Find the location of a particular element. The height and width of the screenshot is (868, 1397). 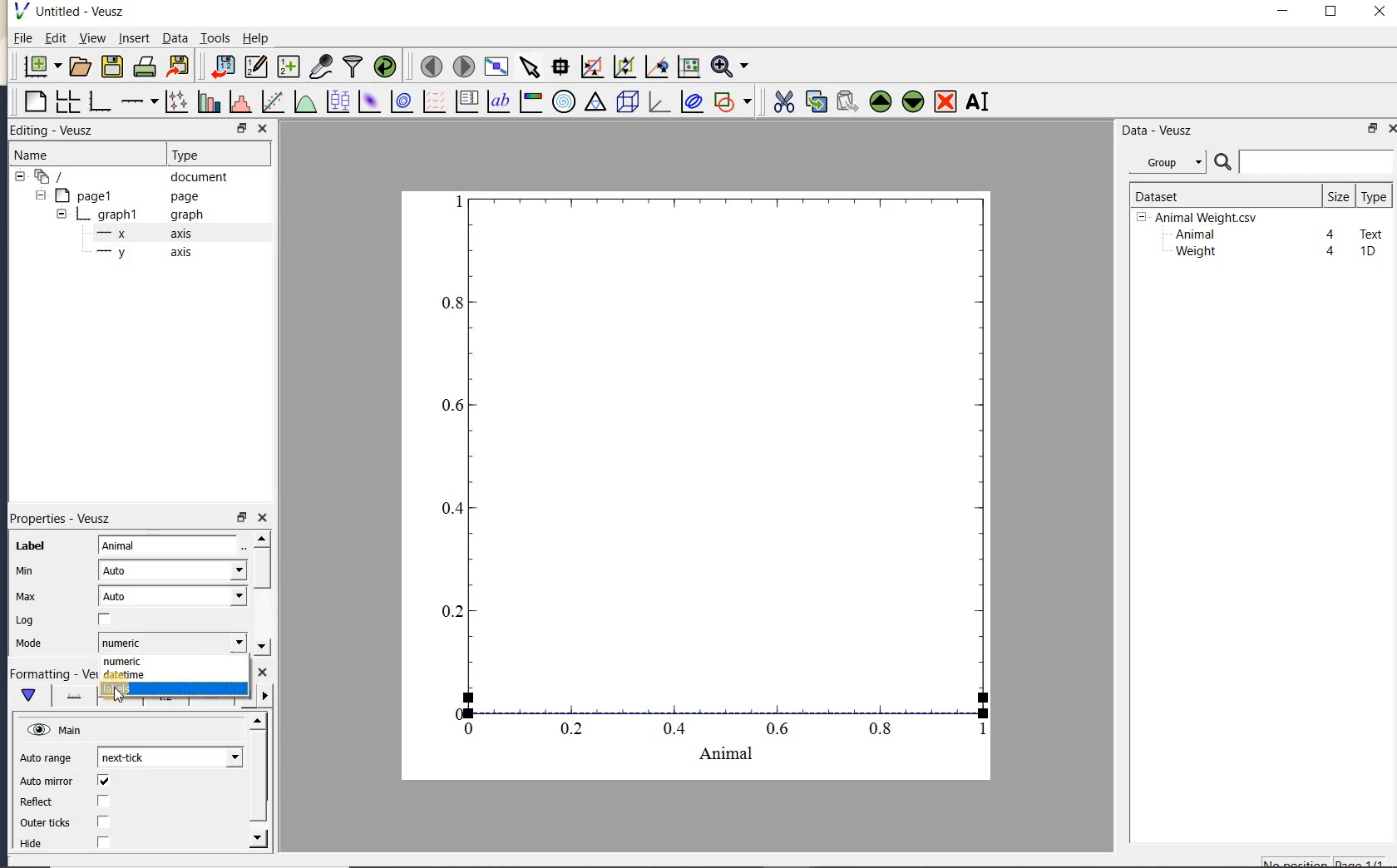

export to graphics format is located at coordinates (179, 65).